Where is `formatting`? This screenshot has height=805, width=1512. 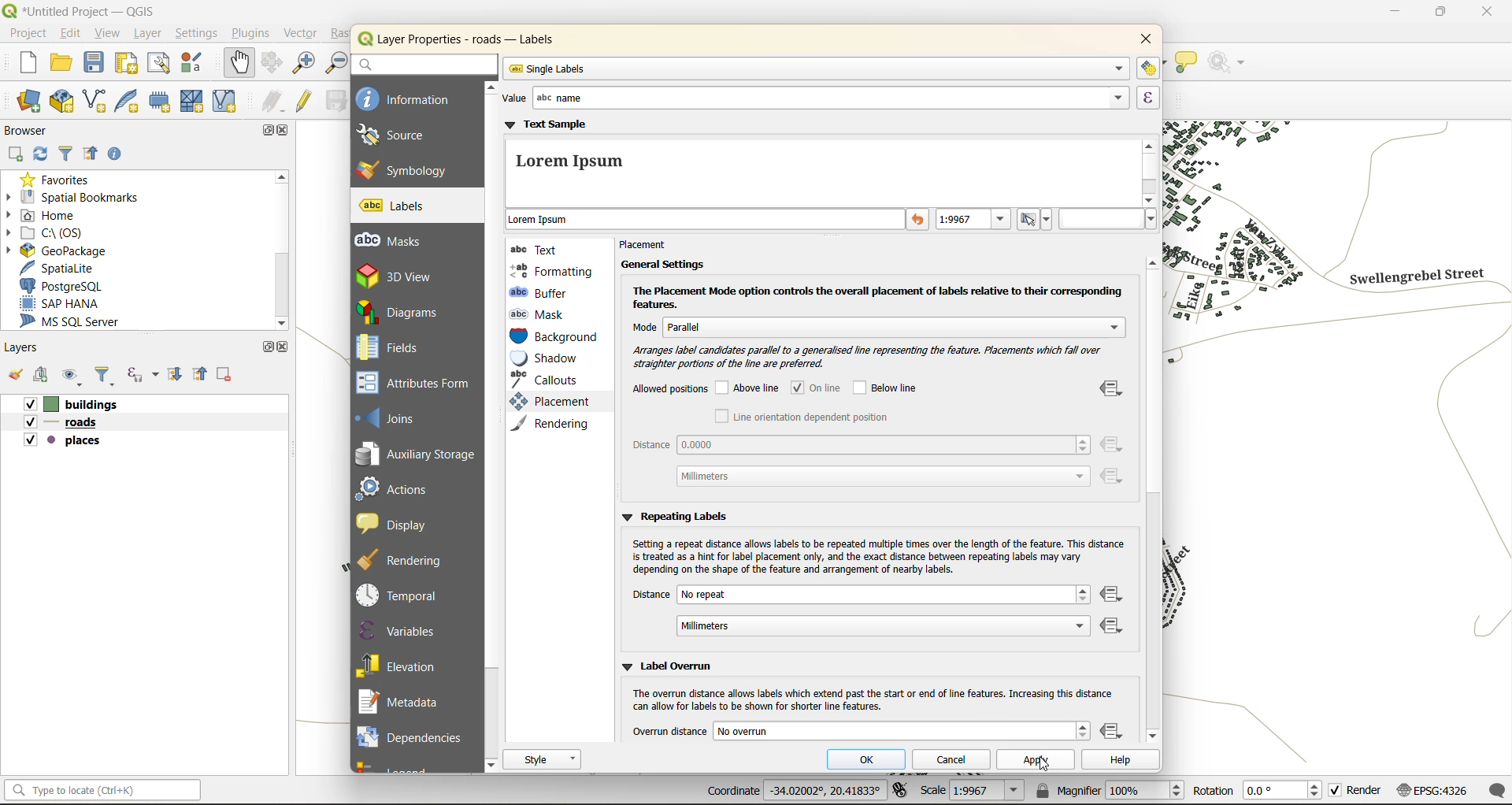
formatting is located at coordinates (552, 271).